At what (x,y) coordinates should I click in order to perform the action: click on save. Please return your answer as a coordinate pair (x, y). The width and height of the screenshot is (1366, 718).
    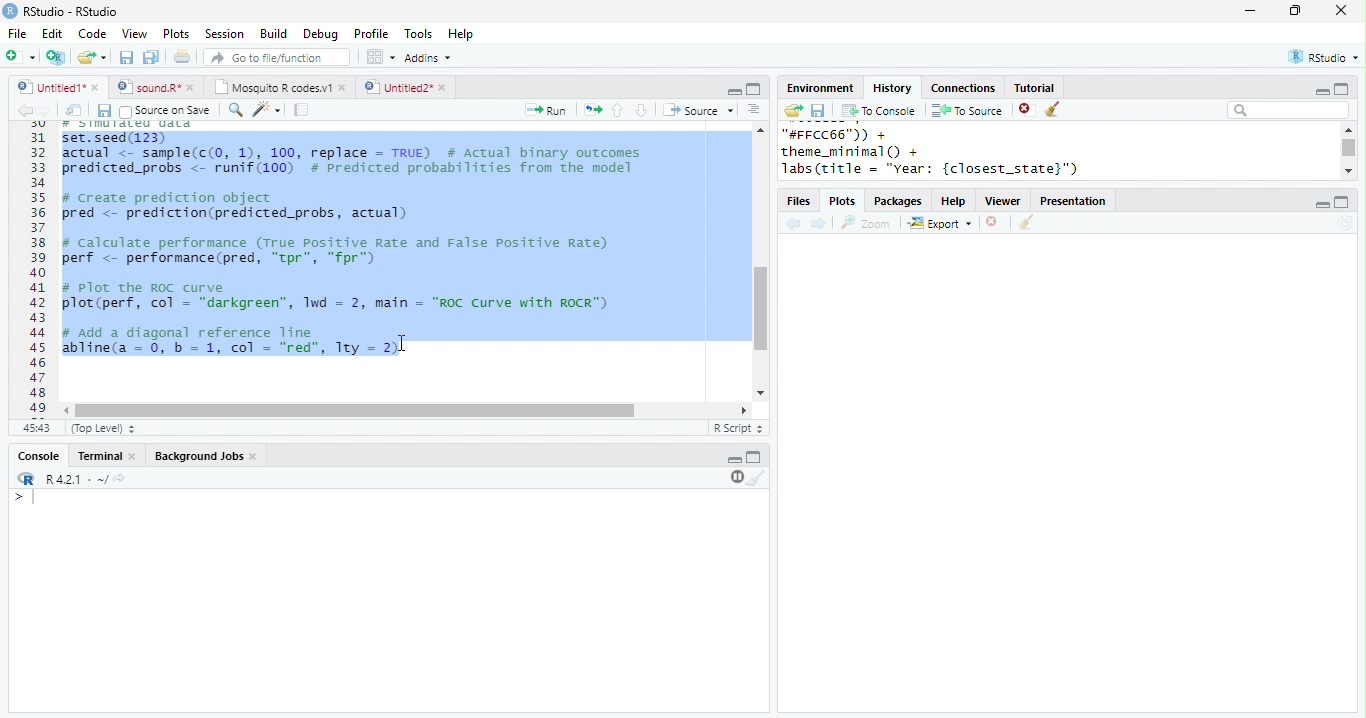
    Looking at the image, I should click on (126, 57).